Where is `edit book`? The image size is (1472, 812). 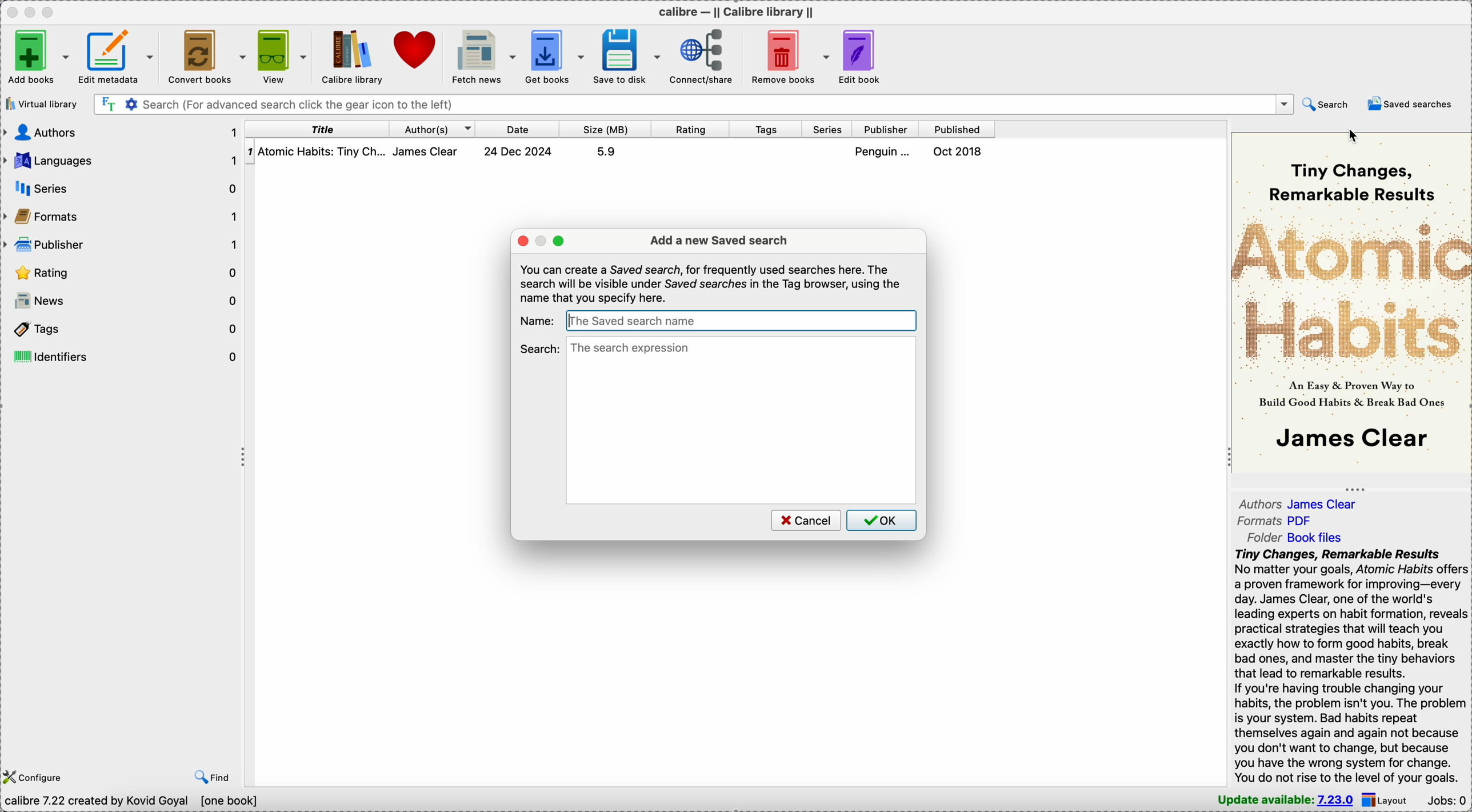 edit book is located at coordinates (867, 56).